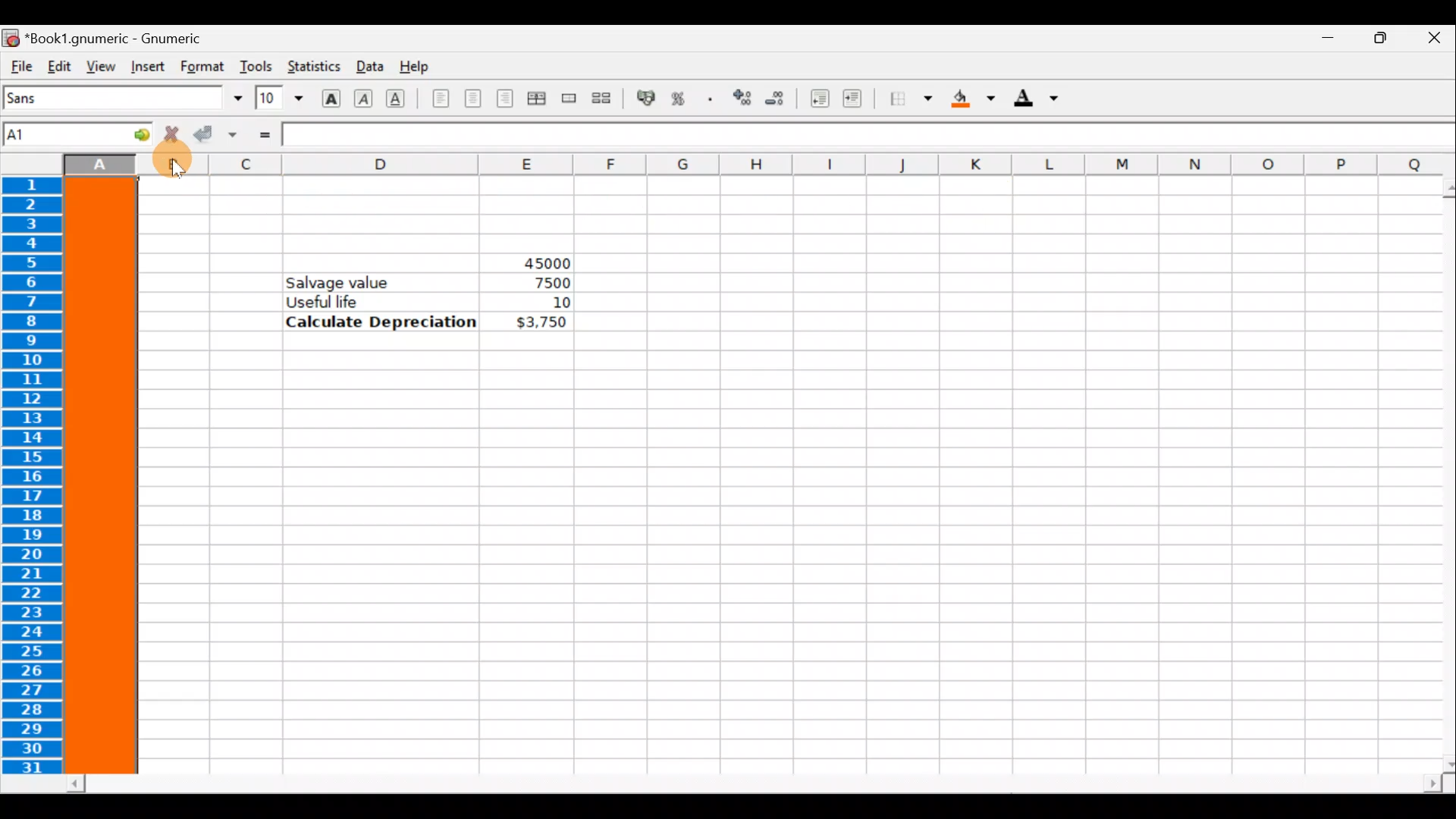 This screenshot has width=1456, height=819. Describe the element at coordinates (548, 283) in the screenshot. I see `7500` at that location.